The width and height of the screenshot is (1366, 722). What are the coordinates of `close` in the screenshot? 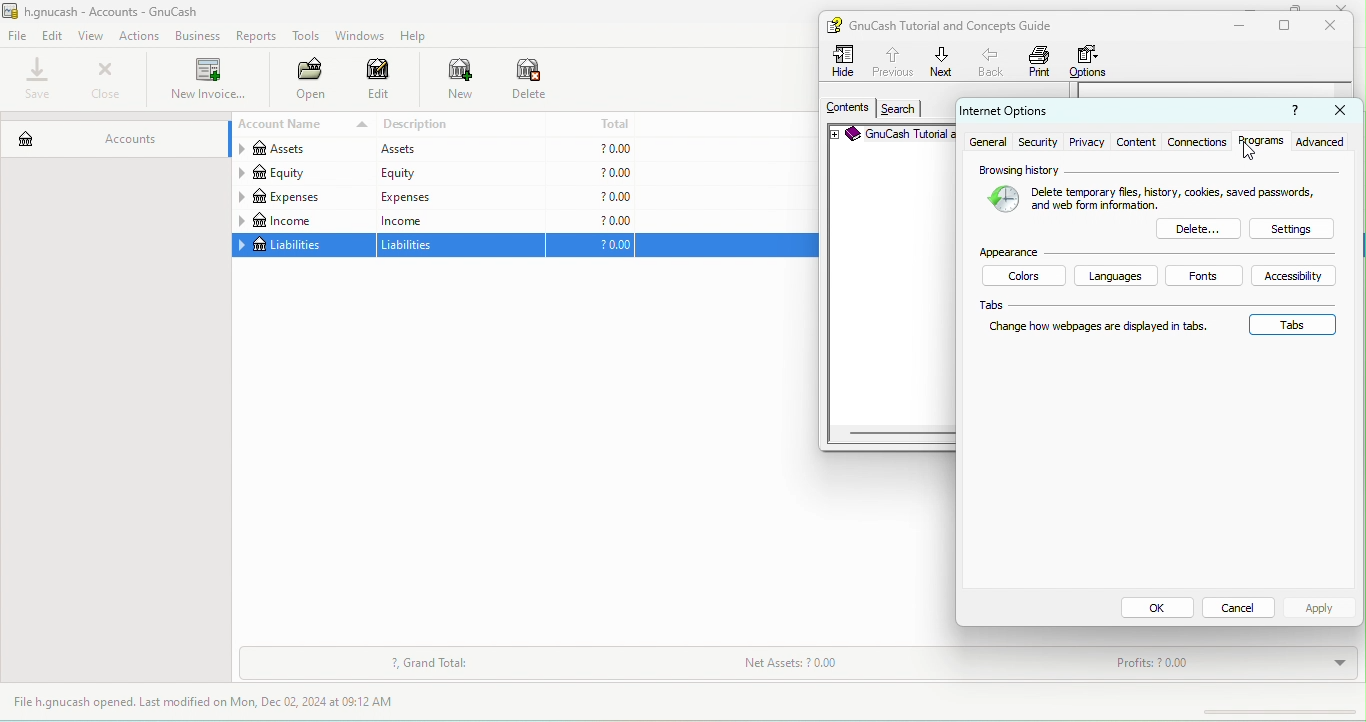 It's located at (1336, 26).